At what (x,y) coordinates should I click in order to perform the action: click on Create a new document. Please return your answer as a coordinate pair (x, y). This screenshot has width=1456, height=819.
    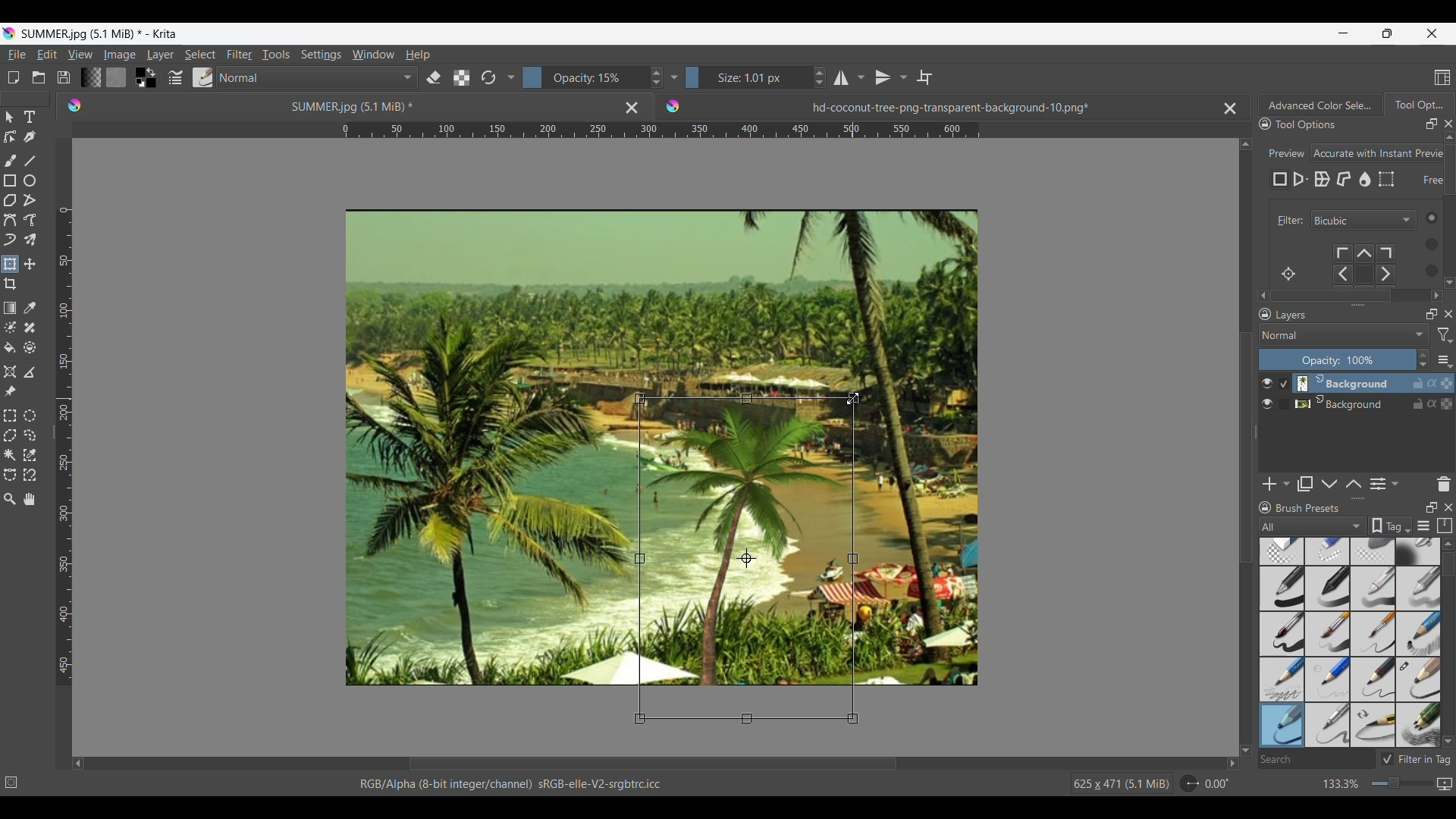
    Looking at the image, I should click on (13, 77).